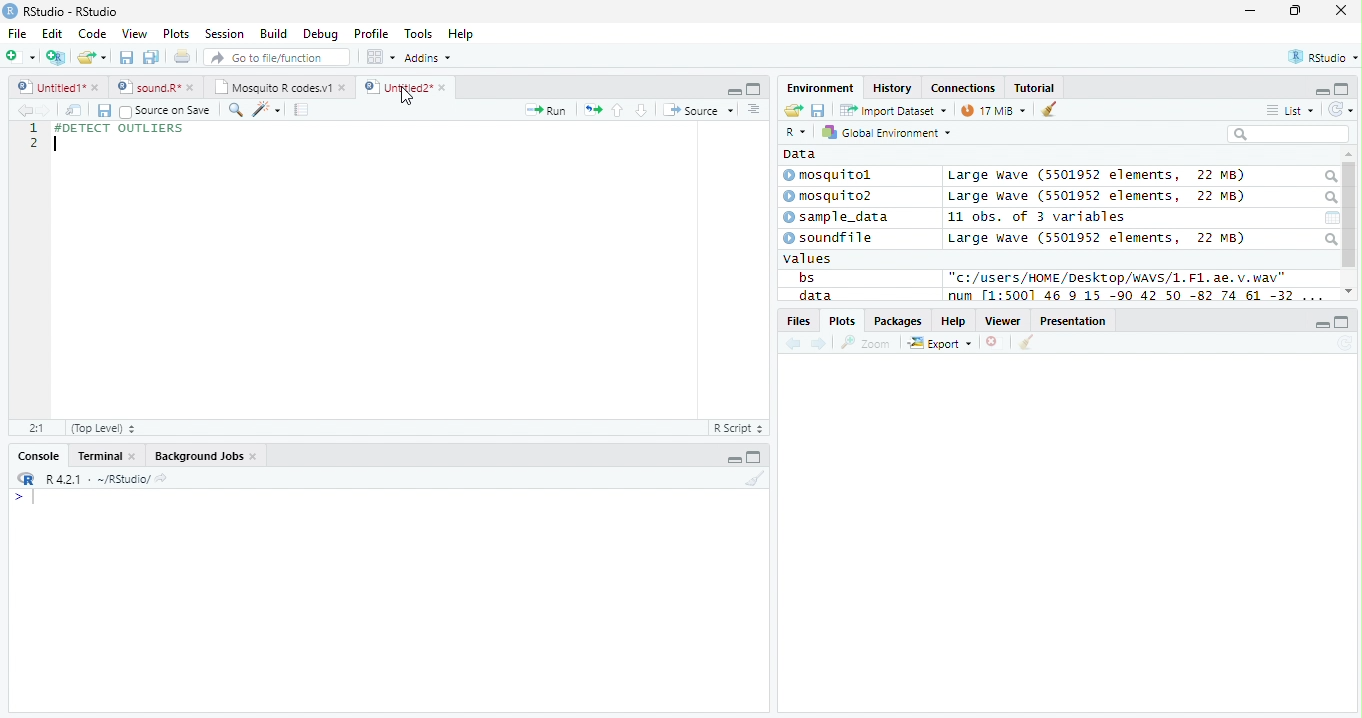 Image resolution: width=1362 pixels, height=718 pixels. I want to click on Compile report, so click(302, 110).